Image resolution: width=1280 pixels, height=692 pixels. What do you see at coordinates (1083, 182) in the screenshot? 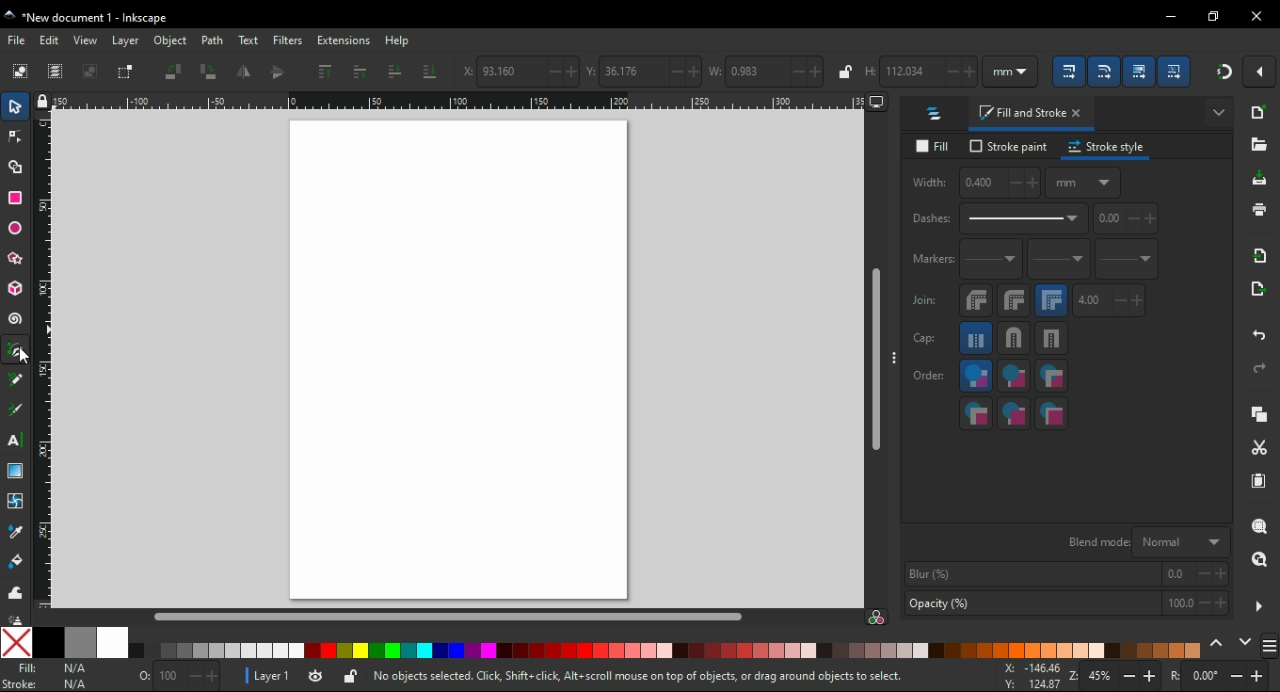
I see `measuring units` at bounding box center [1083, 182].